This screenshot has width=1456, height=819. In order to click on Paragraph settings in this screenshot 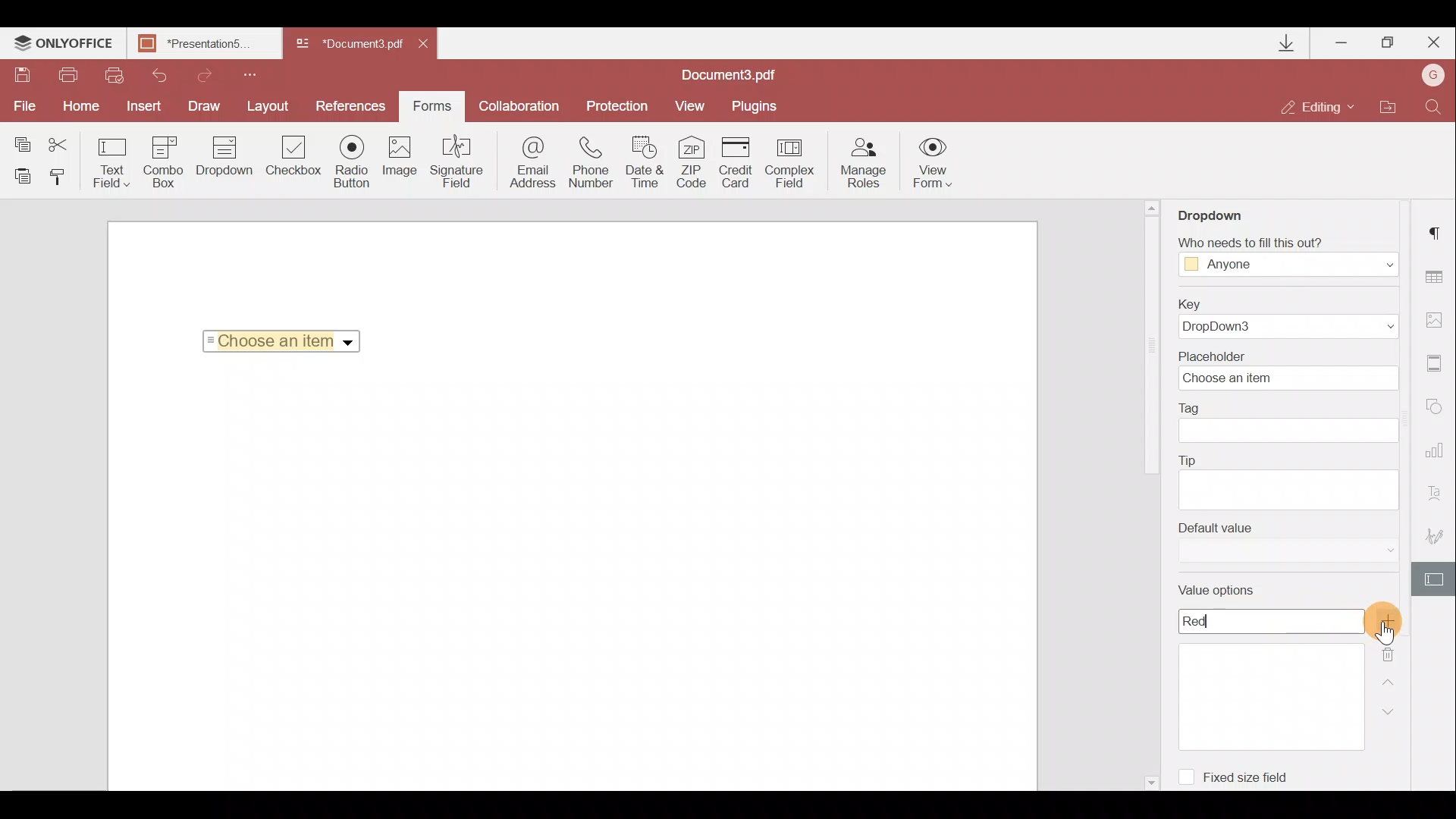, I will do `click(1439, 231)`.